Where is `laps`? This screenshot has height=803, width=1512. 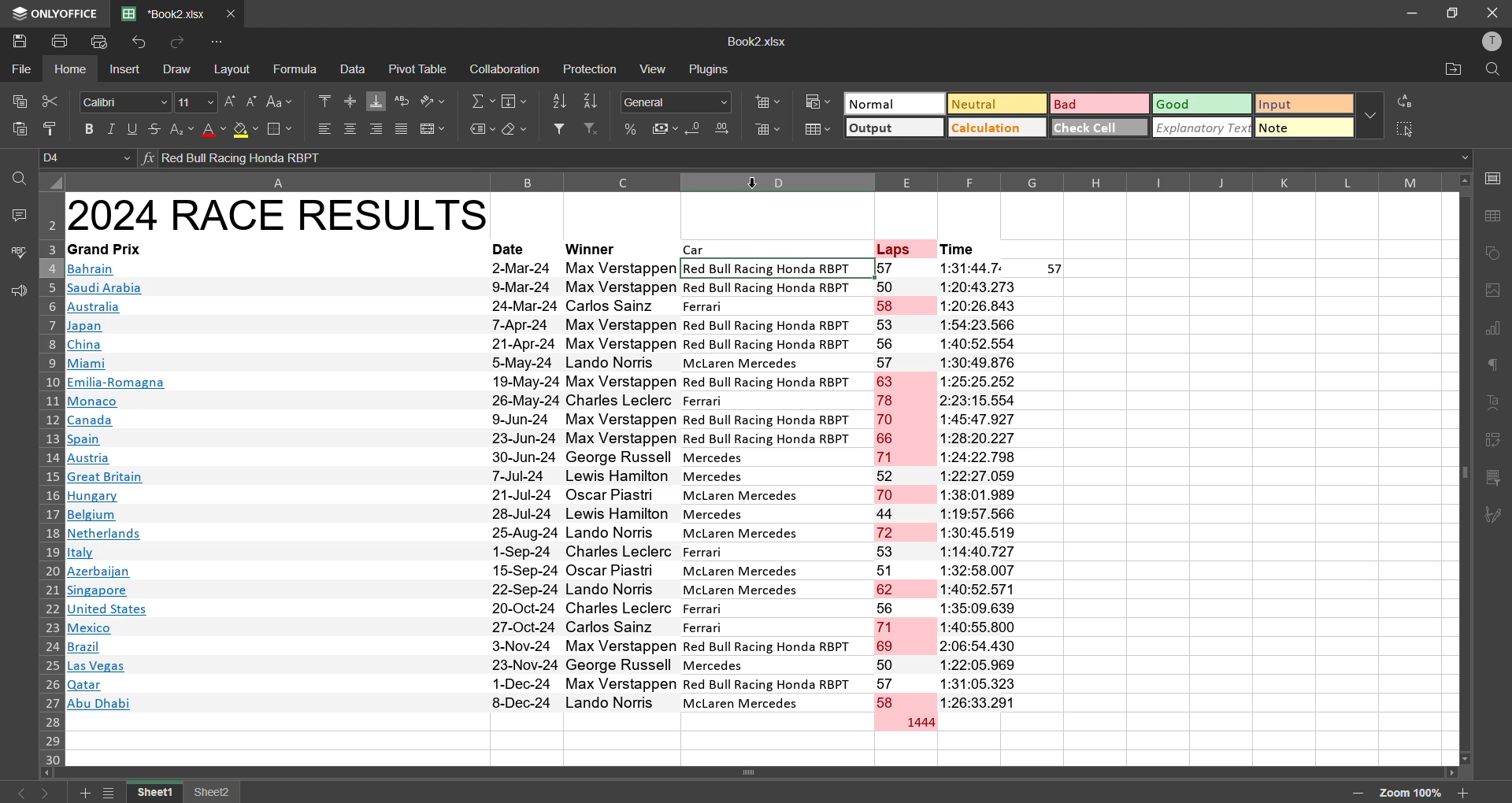
laps is located at coordinates (895, 248).